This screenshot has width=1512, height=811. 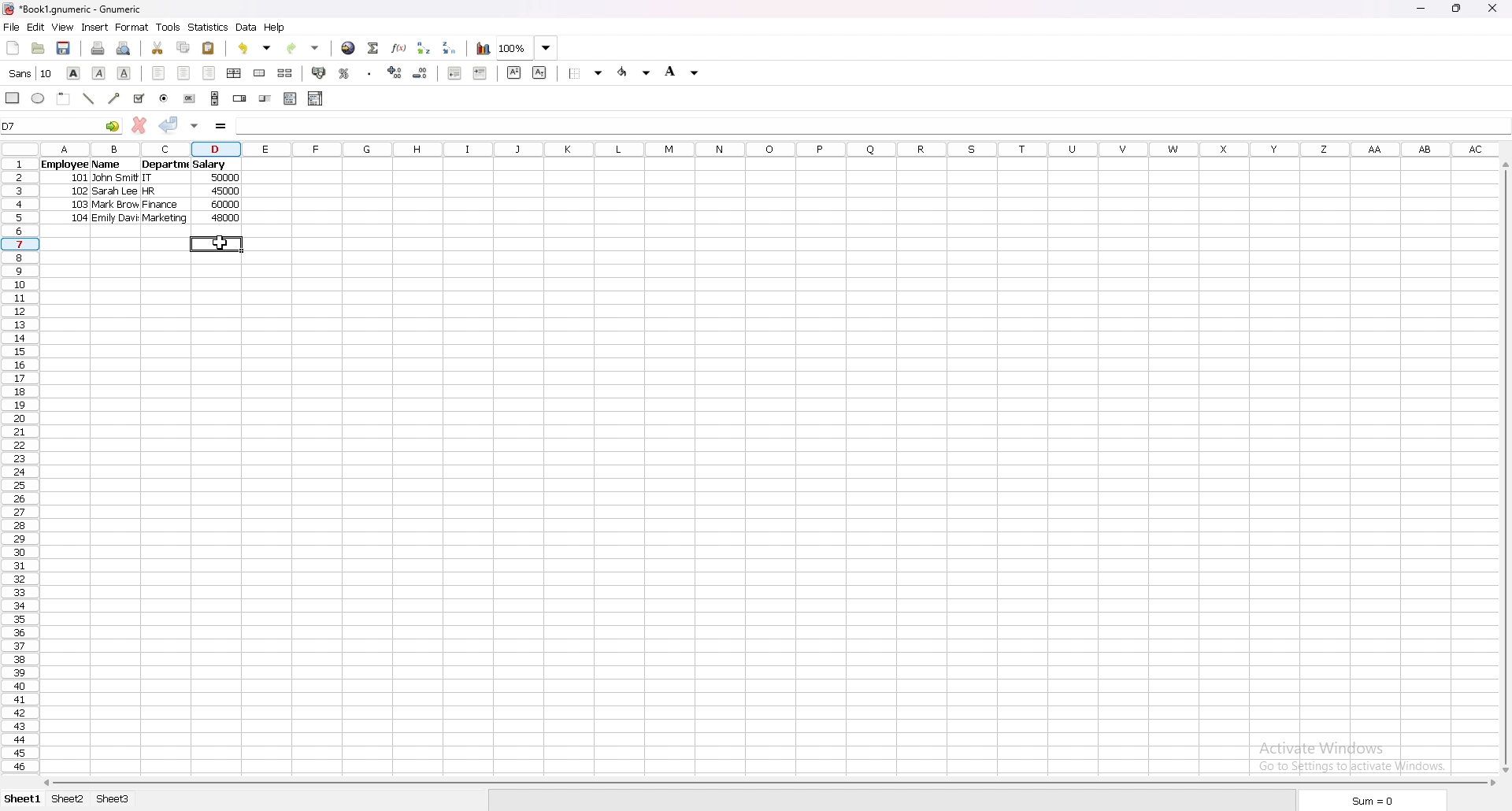 I want to click on resize, so click(x=1458, y=9).